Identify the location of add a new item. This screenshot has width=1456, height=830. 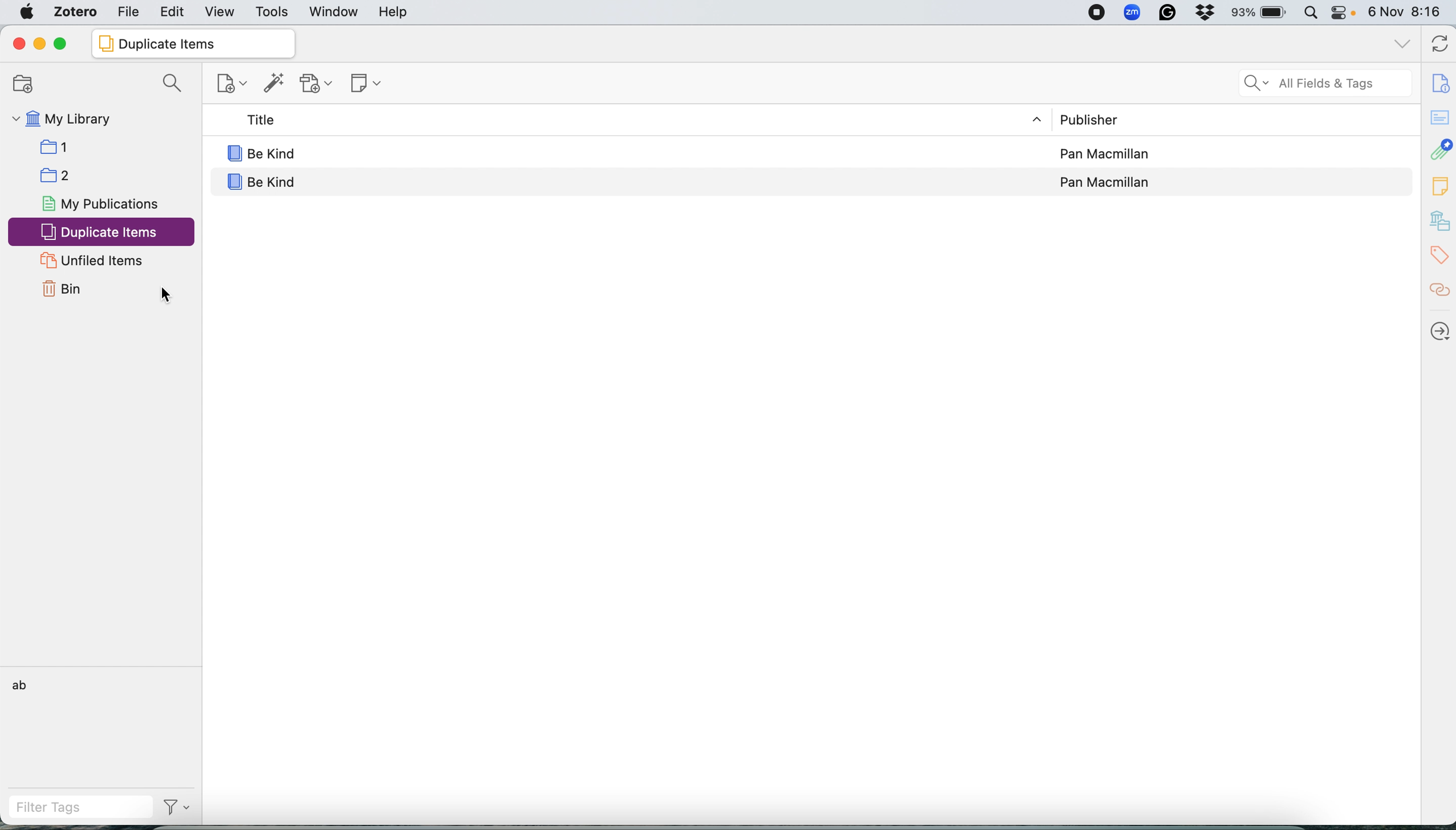
(230, 83).